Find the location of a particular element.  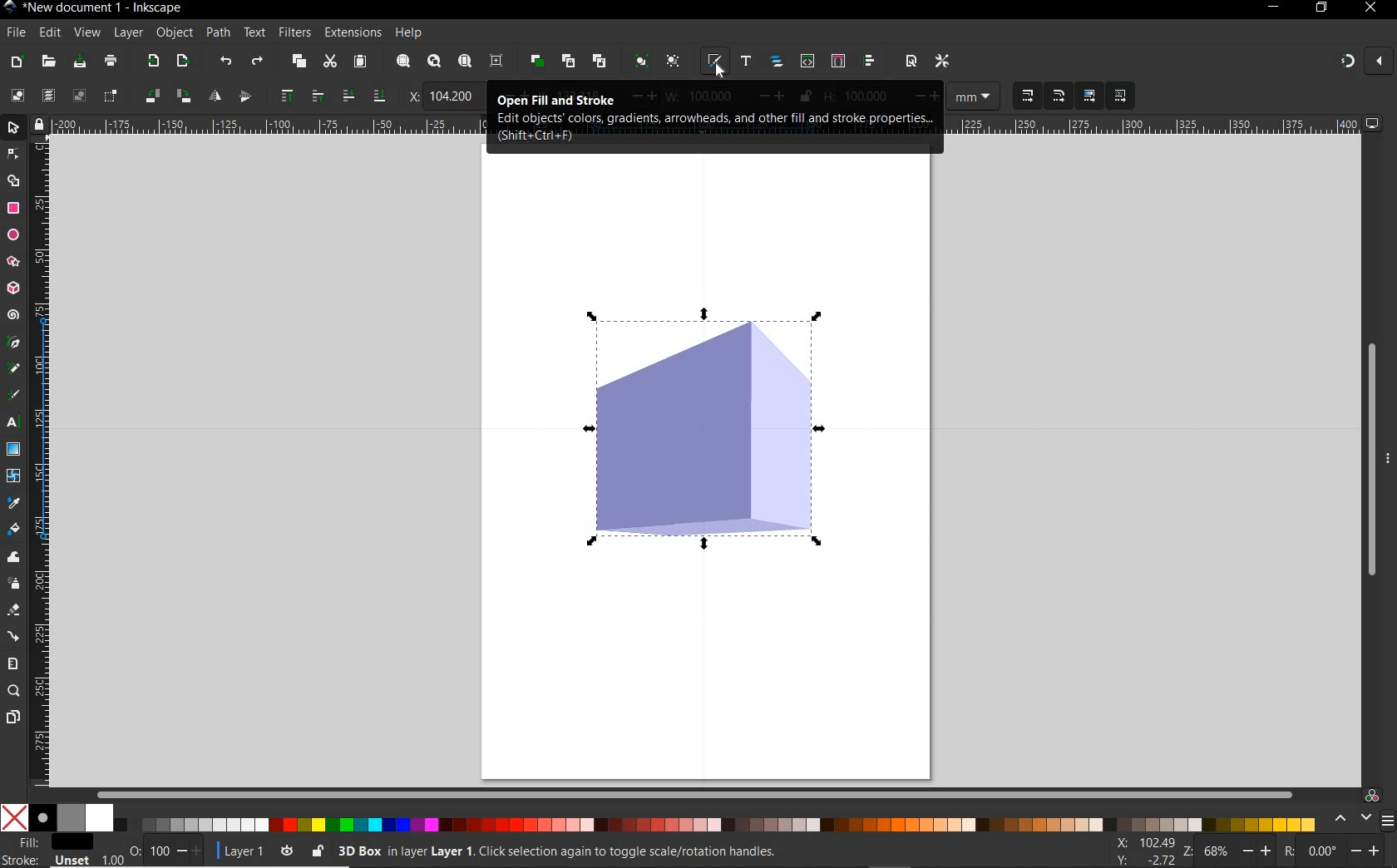

MEASUREMENTS is located at coordinates (974, 96).